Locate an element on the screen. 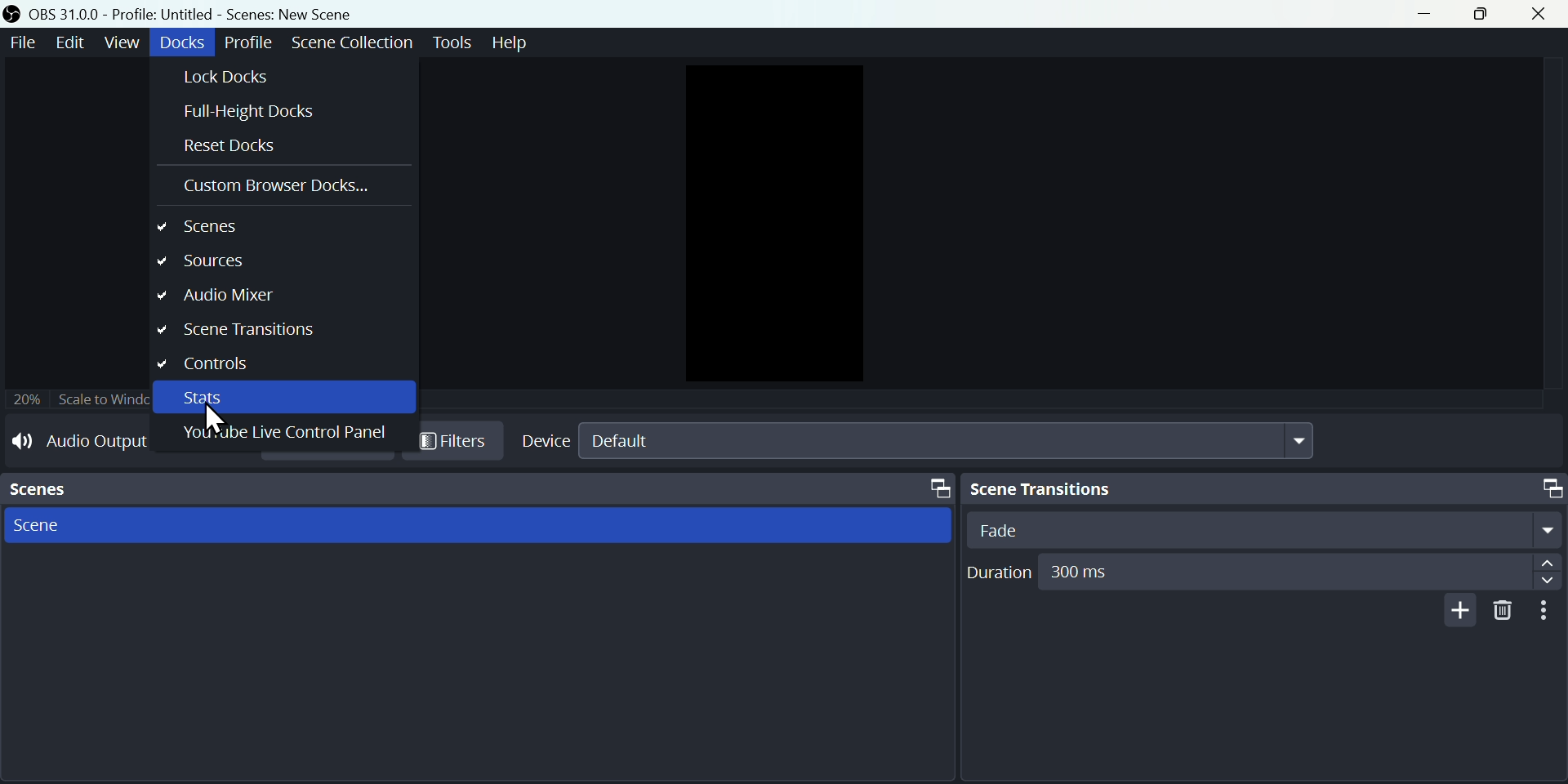 Image resolution: width=1568 pixels, height=784 pixels. edit is located at coordinates (69, 42).